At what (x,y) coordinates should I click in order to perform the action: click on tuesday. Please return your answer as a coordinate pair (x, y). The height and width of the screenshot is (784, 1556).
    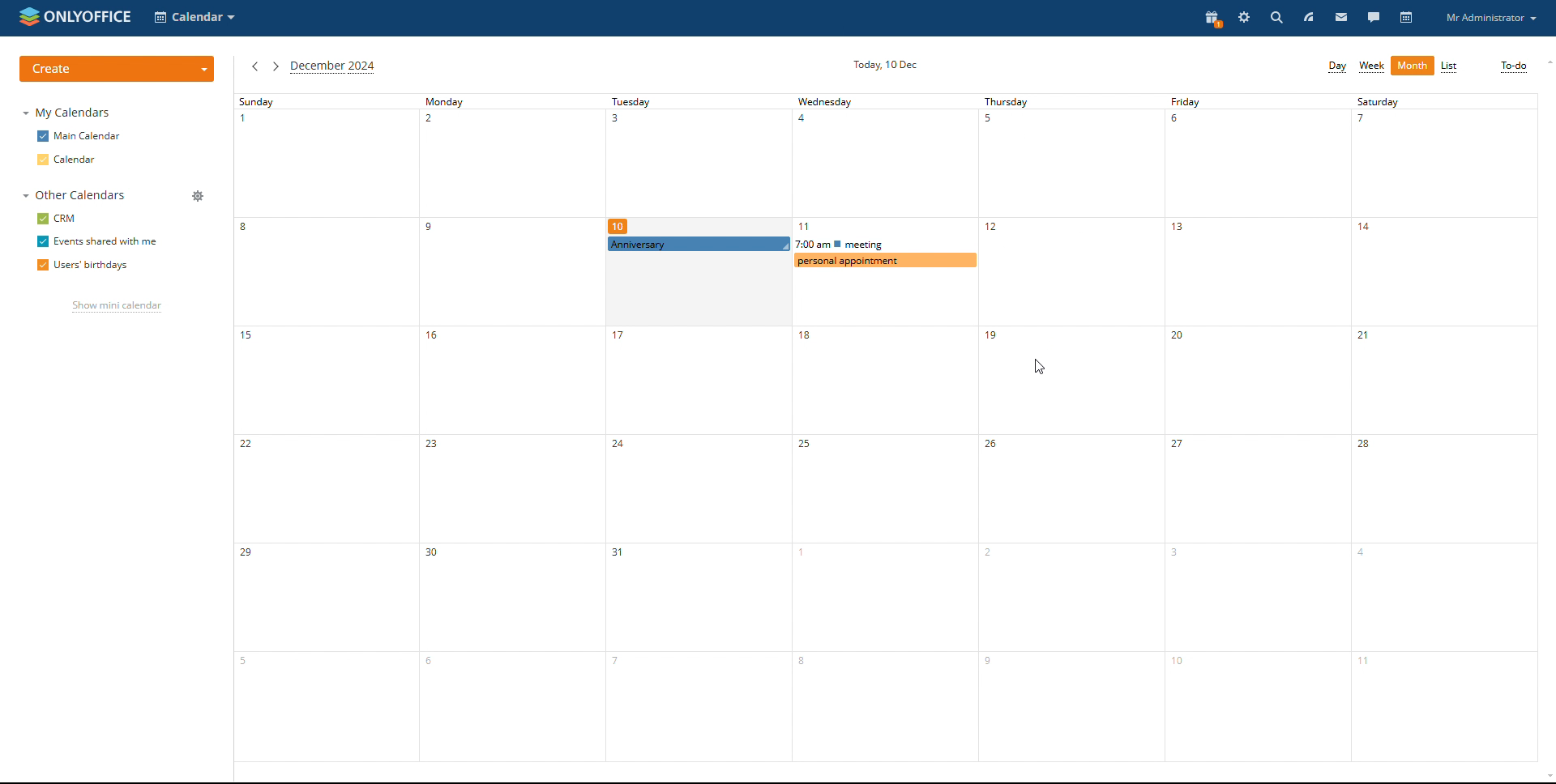
    Looking at the image, I should click on (696, 428).